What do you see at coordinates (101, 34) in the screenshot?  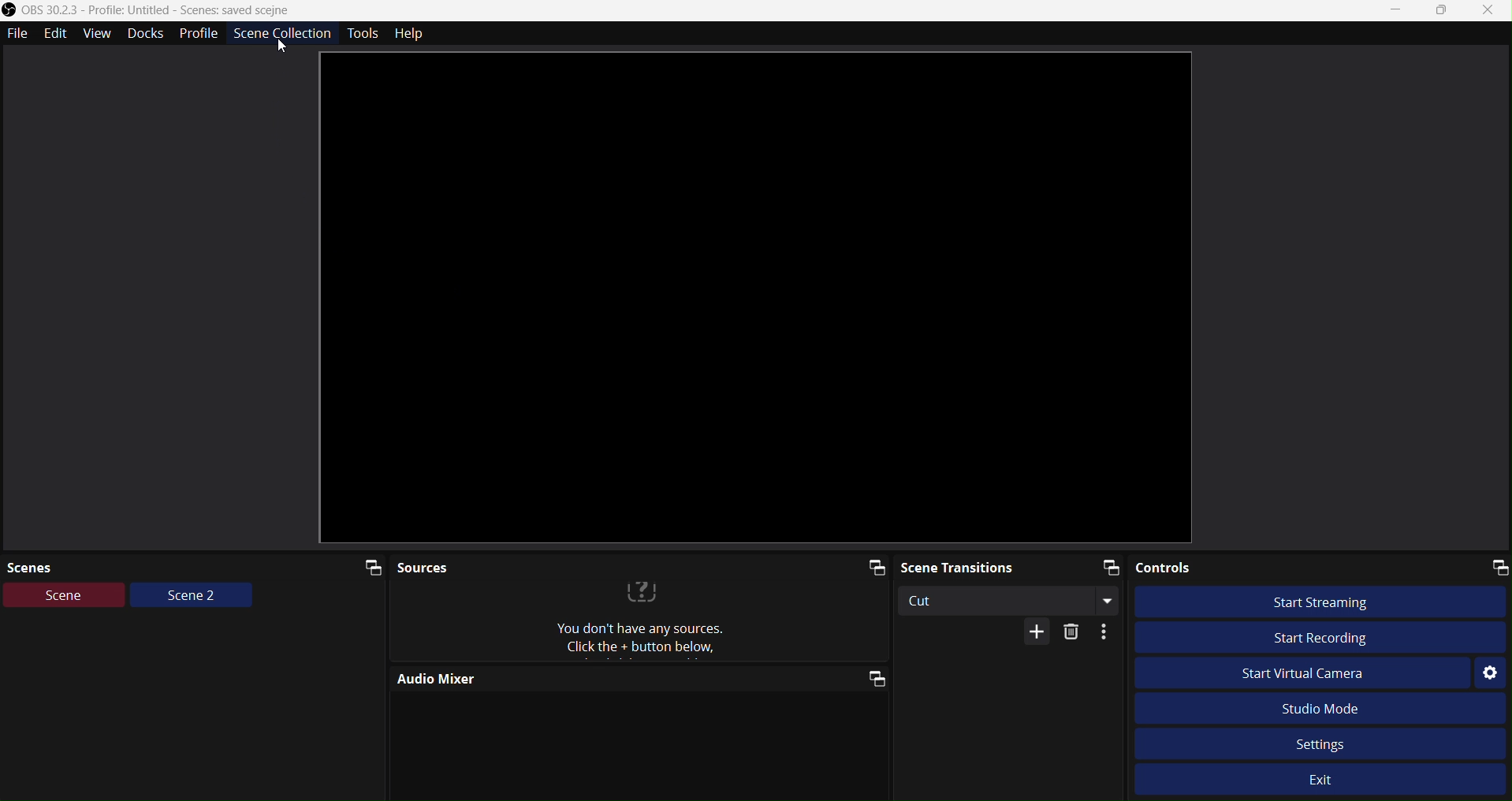 I see `View` at bounding box center [101, 34].